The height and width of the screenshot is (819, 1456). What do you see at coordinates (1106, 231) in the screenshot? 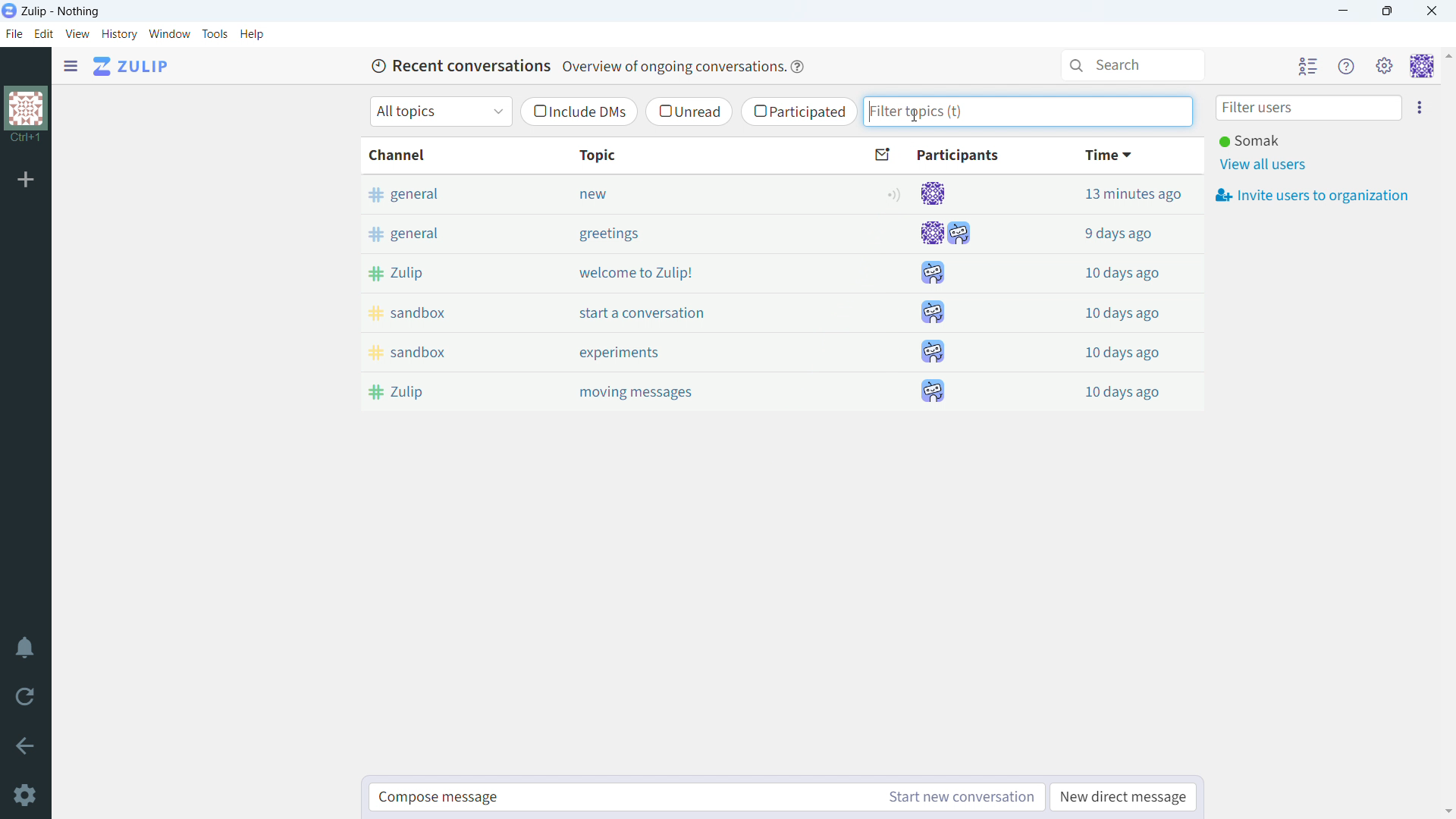
I see `9 days ago` at bounding box center [1106, 231].